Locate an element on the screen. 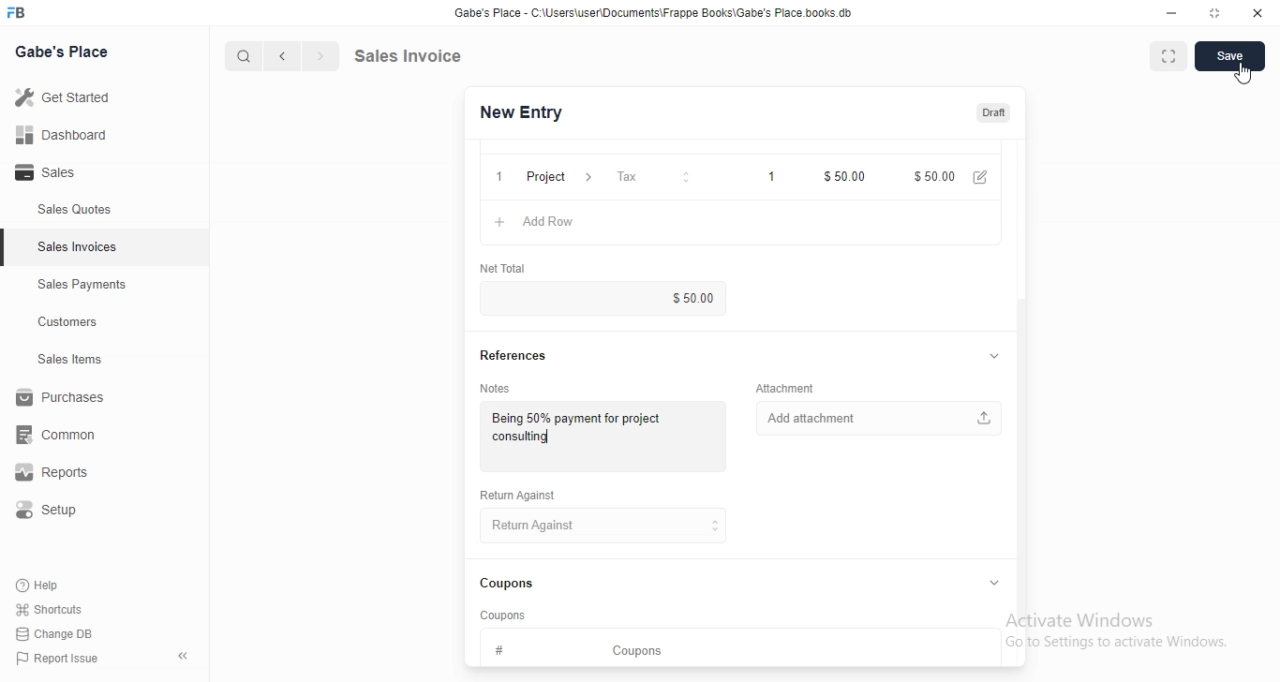 This screenshot has width=1280, height=682. ‘Coupons is located at coordinates (505, 614).